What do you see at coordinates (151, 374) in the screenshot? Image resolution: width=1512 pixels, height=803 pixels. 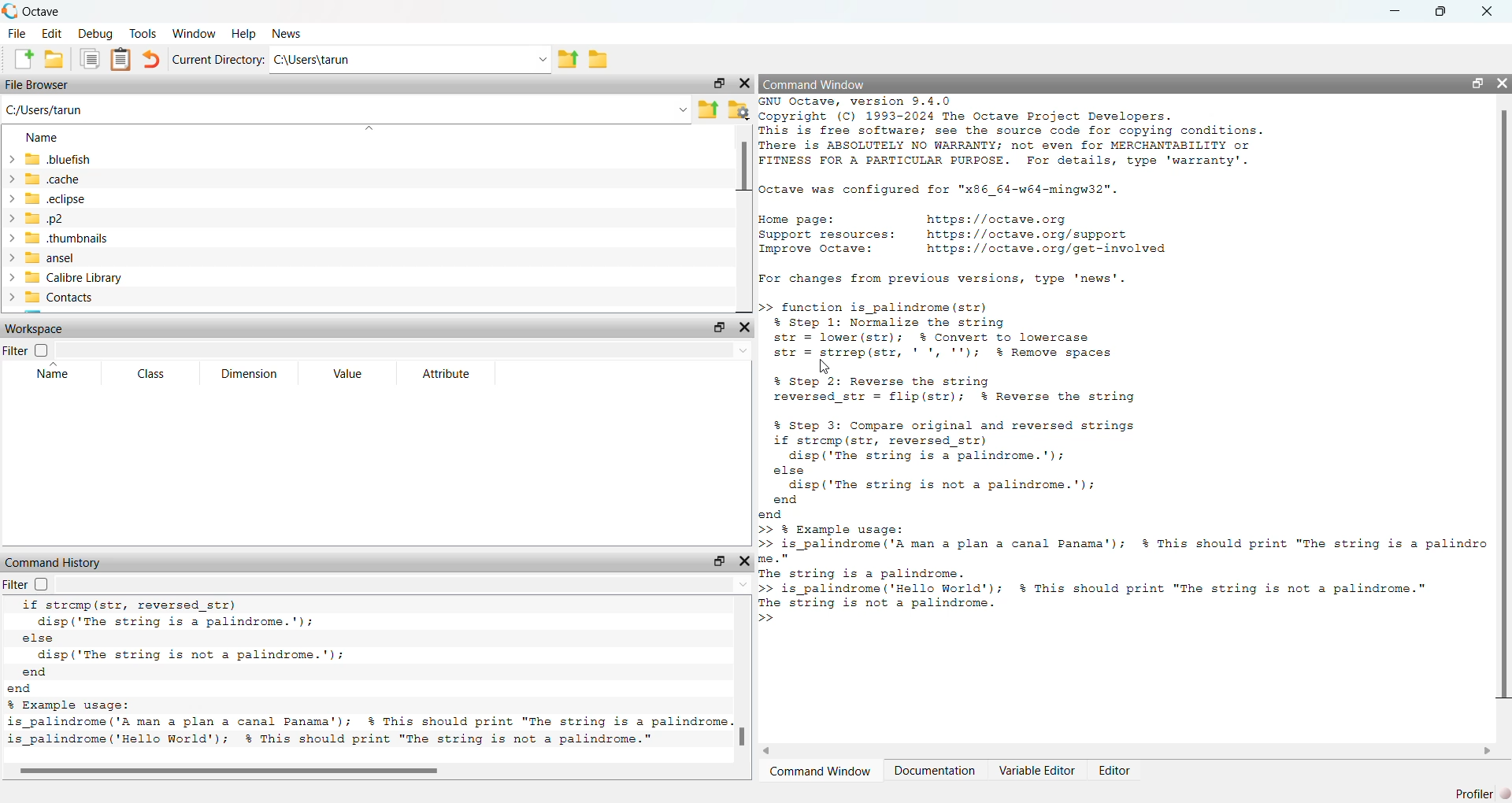 I see `class` at bounding box center [151, 374].